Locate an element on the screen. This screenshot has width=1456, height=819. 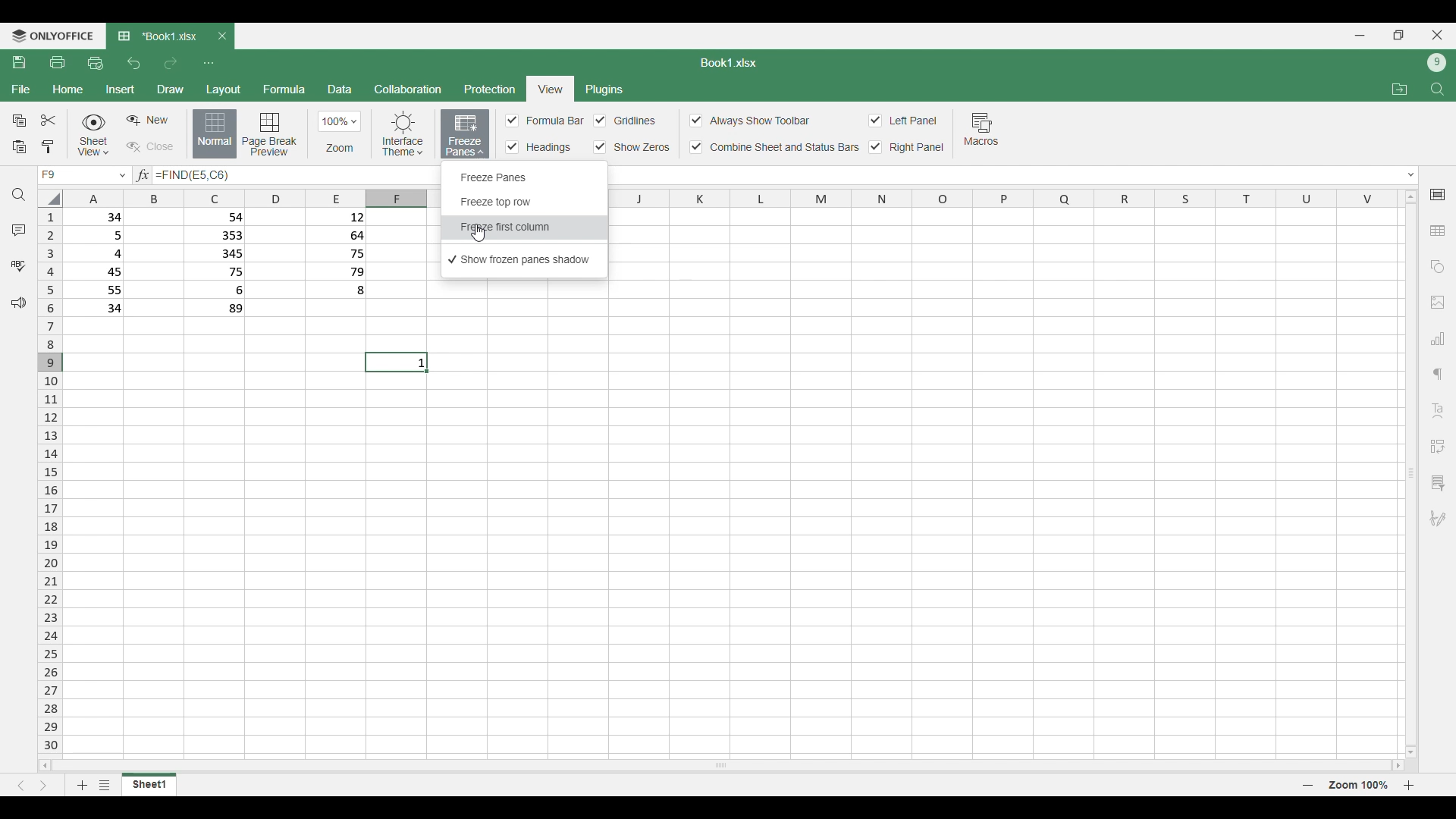
Add image is located at coordinates (1439, 303).